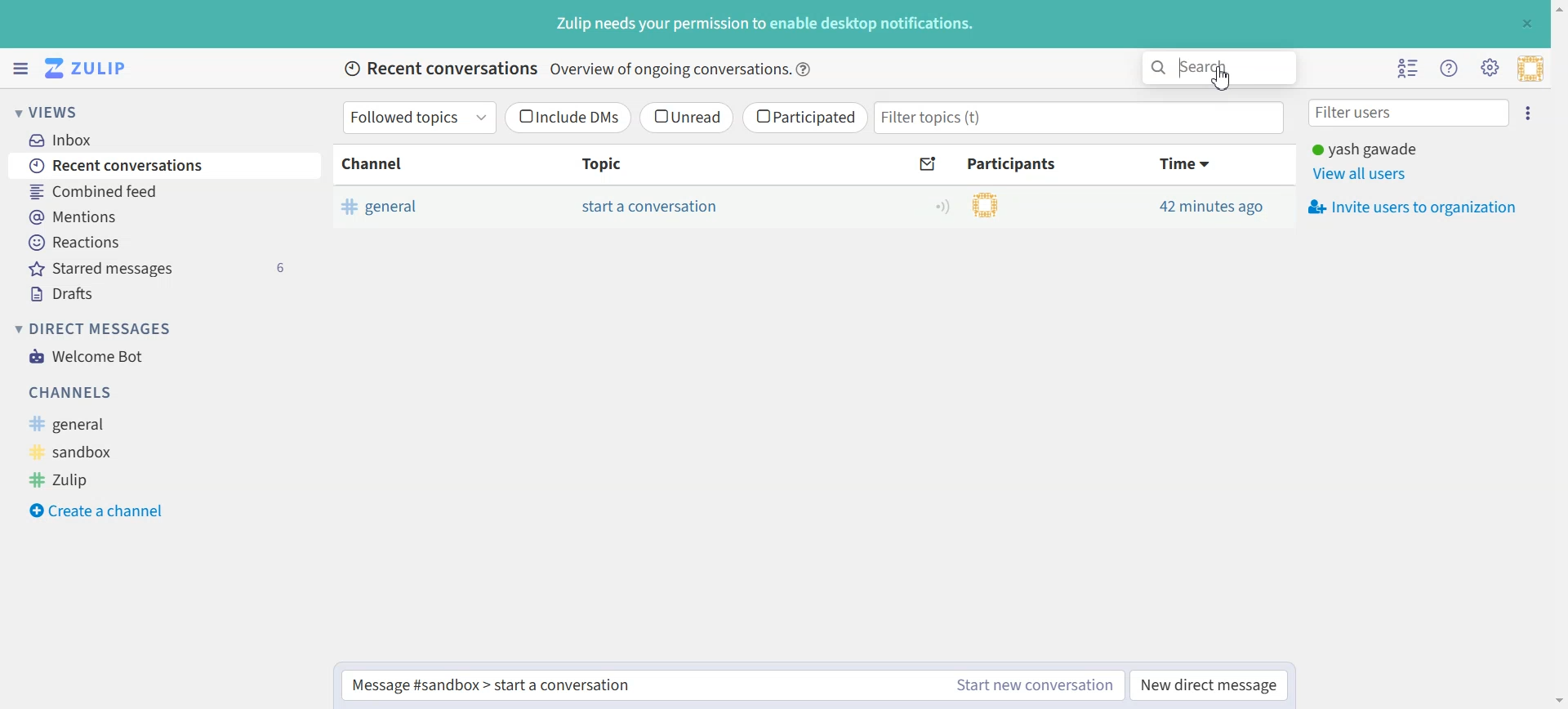  Describe the element at coordinates (97, 508) in the screenshot. I see `Create a channel` at that location.